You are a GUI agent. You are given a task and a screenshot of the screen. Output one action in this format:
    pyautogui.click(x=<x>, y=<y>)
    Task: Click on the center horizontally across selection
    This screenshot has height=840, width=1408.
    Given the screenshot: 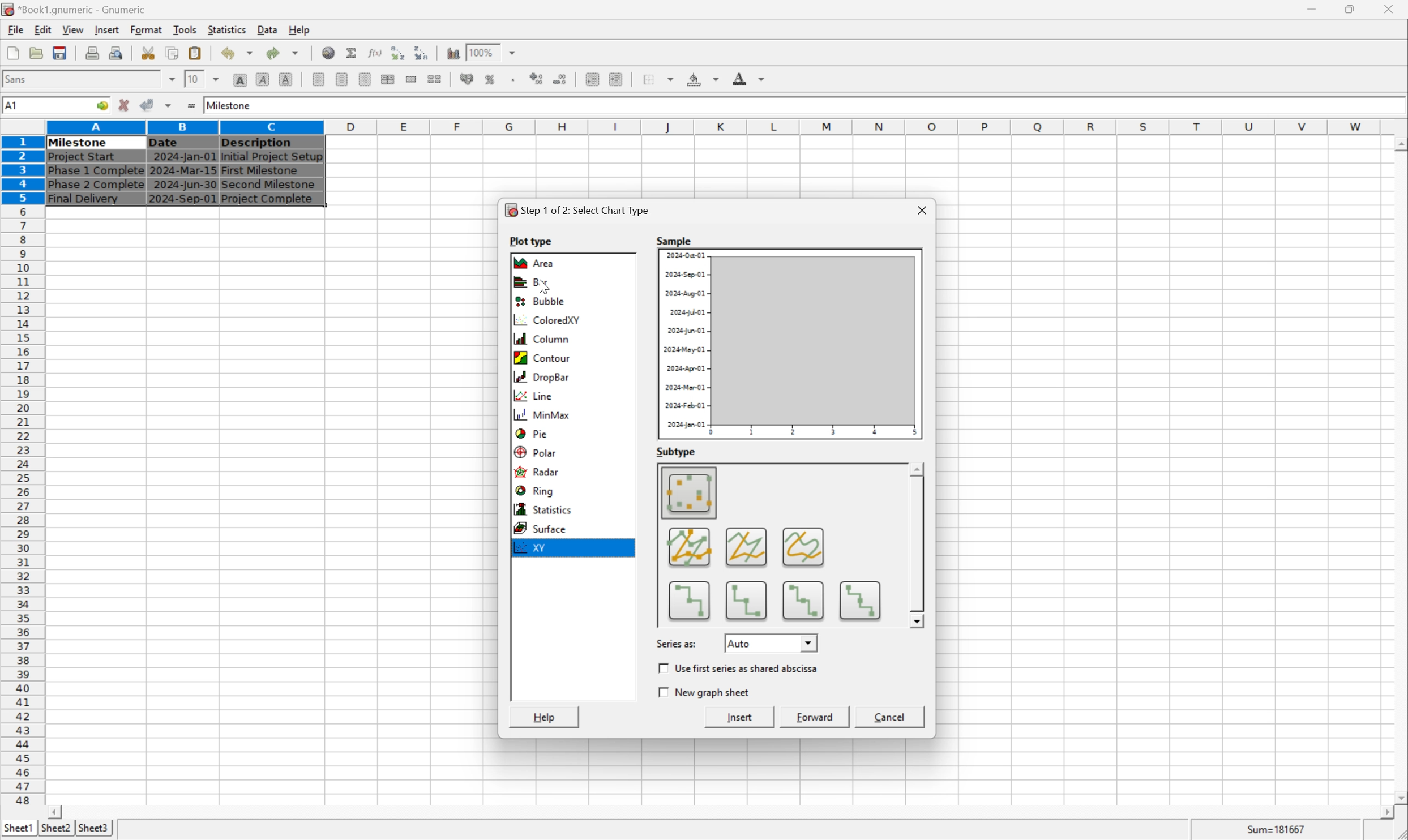 What is the action you would take?
    pyautogui.click(x=388, y=79)
    